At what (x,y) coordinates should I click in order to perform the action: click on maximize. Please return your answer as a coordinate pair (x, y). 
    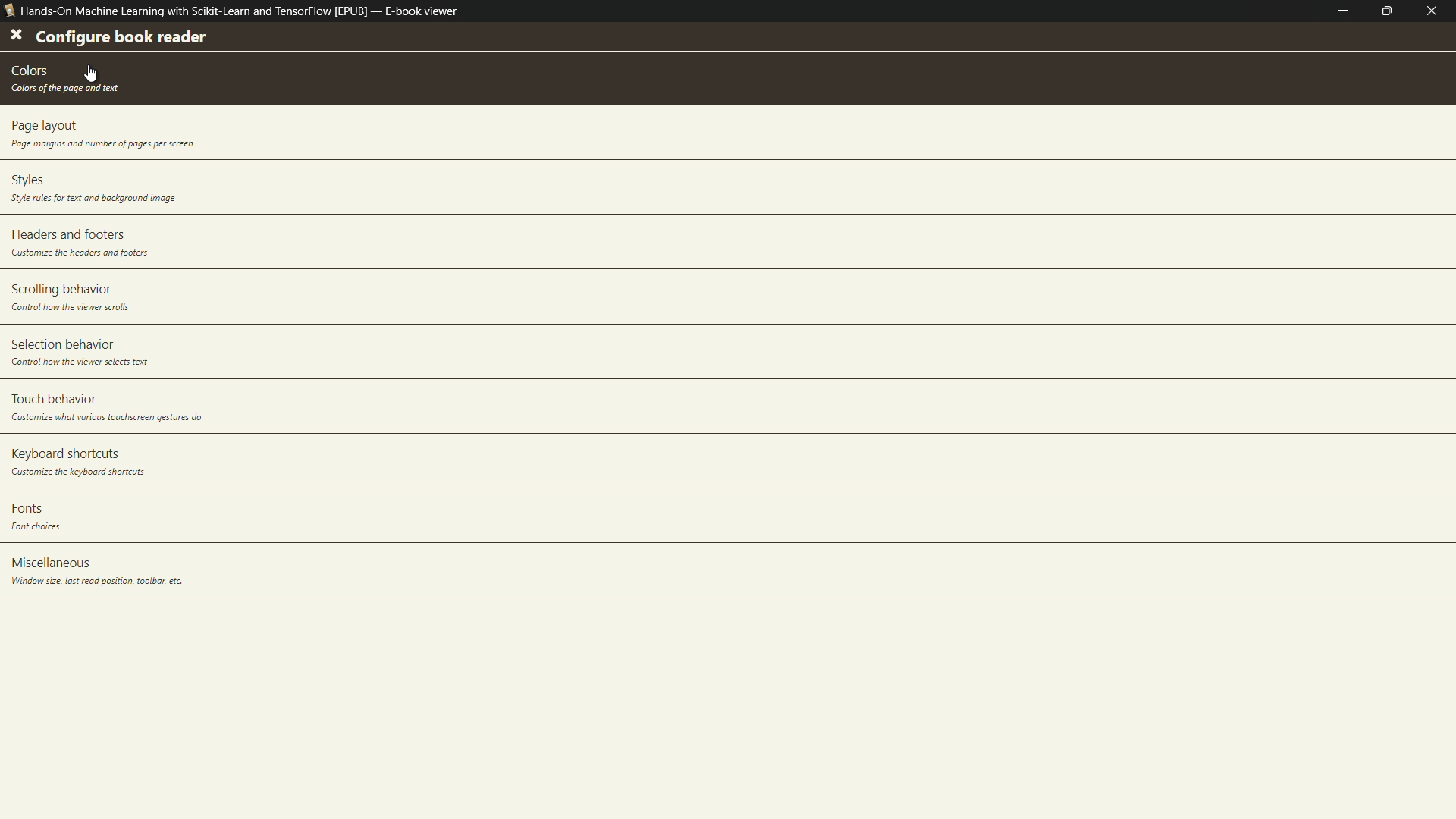
    Looking at the image, I should click on (1391, 11).